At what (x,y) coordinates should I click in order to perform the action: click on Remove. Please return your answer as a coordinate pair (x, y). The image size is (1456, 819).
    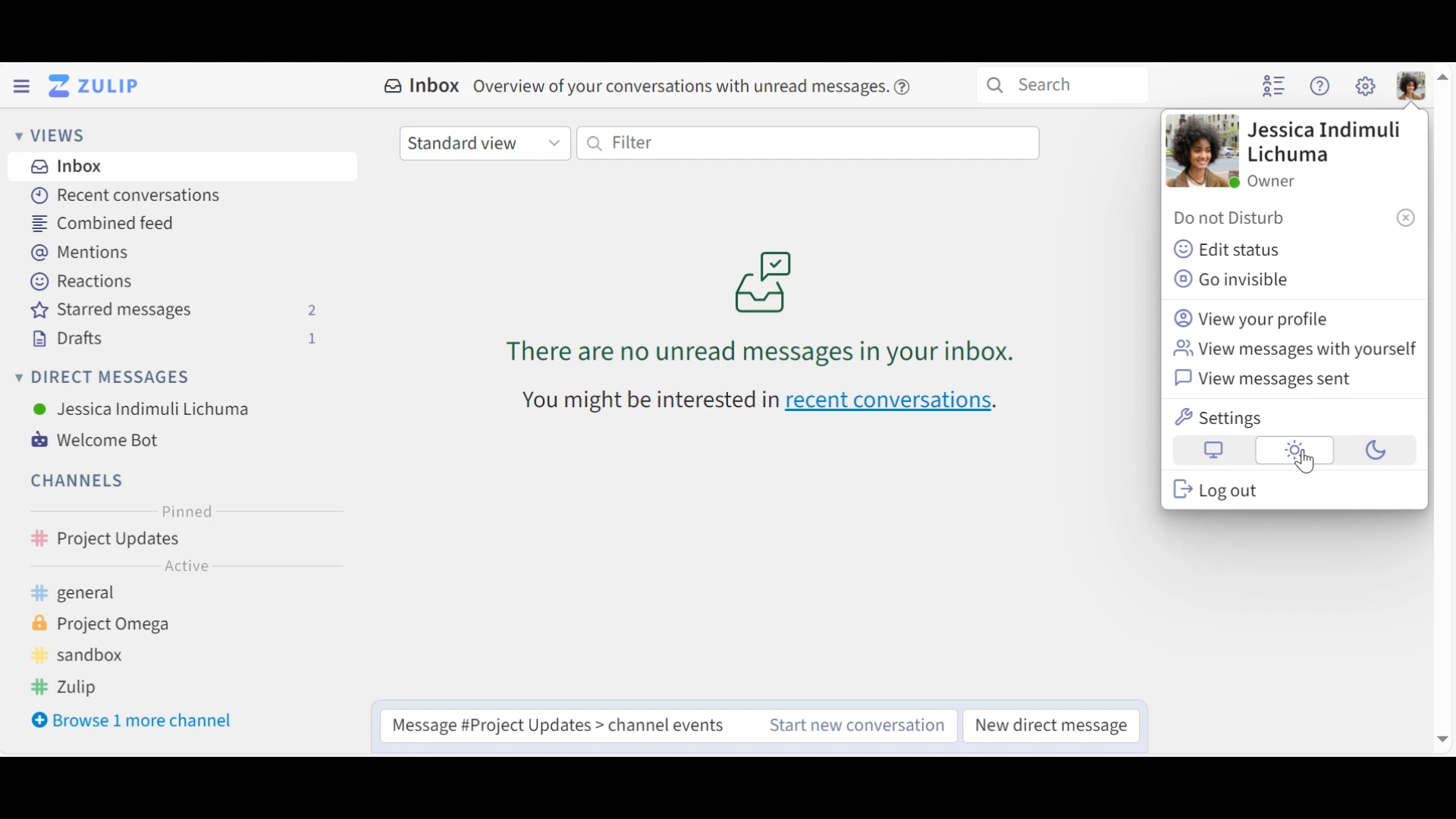
    Looking at the image, I should click on (1405, 217).